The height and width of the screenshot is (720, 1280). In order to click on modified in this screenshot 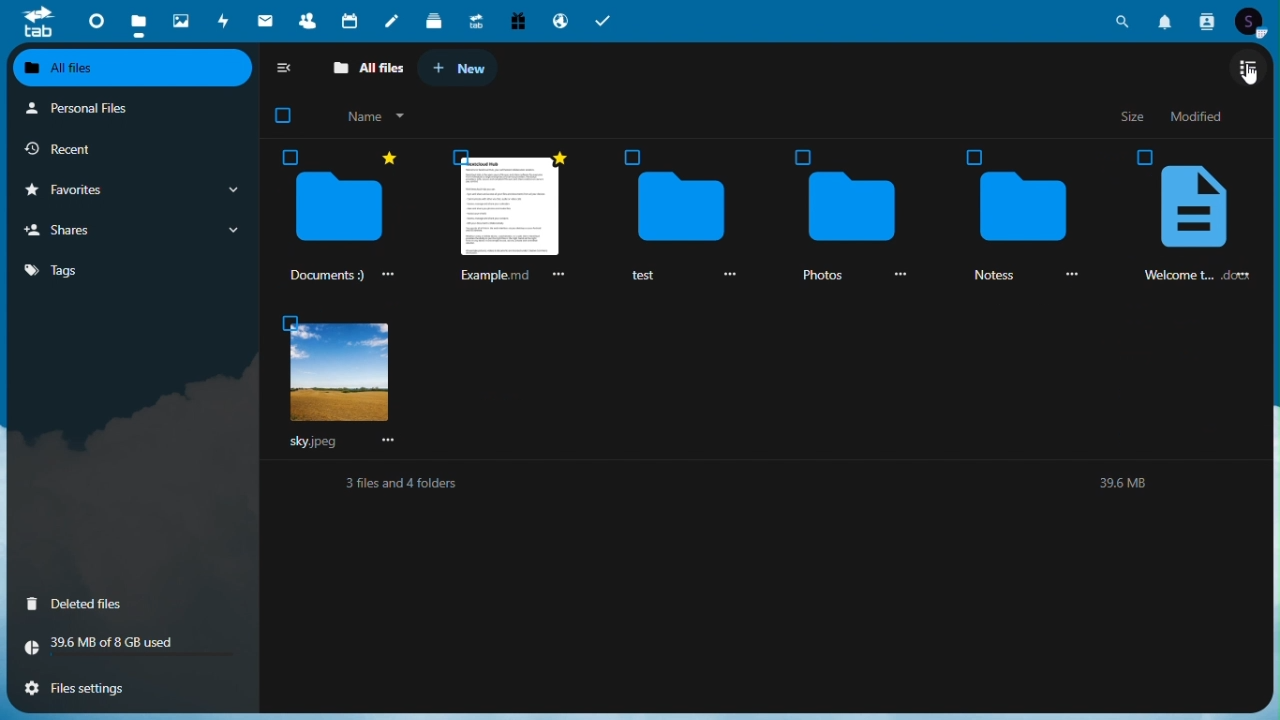, I will do `click(1201, 116)`.